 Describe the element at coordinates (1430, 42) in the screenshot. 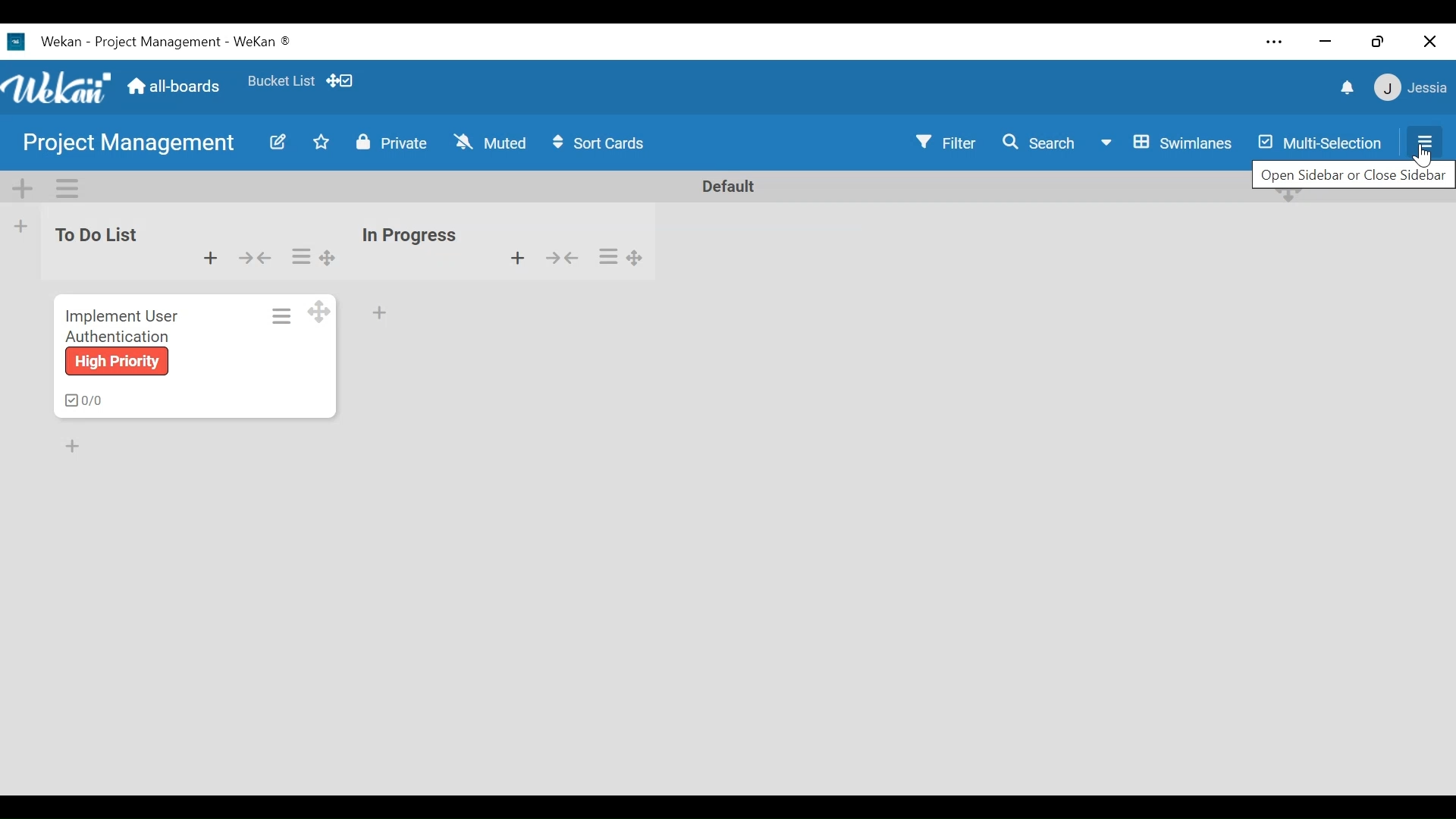

I see `close` at that location.